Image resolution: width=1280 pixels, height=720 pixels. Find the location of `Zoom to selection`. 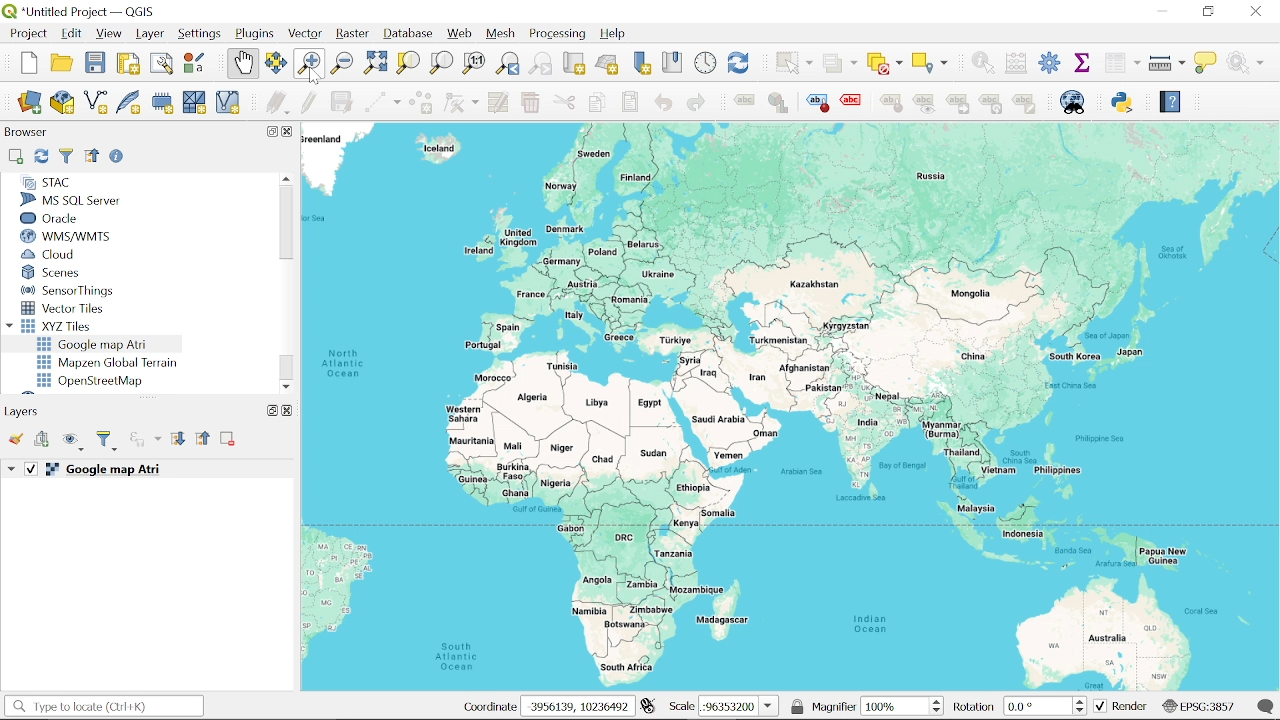

Zoom to selection is located at coordinates (407, 62).